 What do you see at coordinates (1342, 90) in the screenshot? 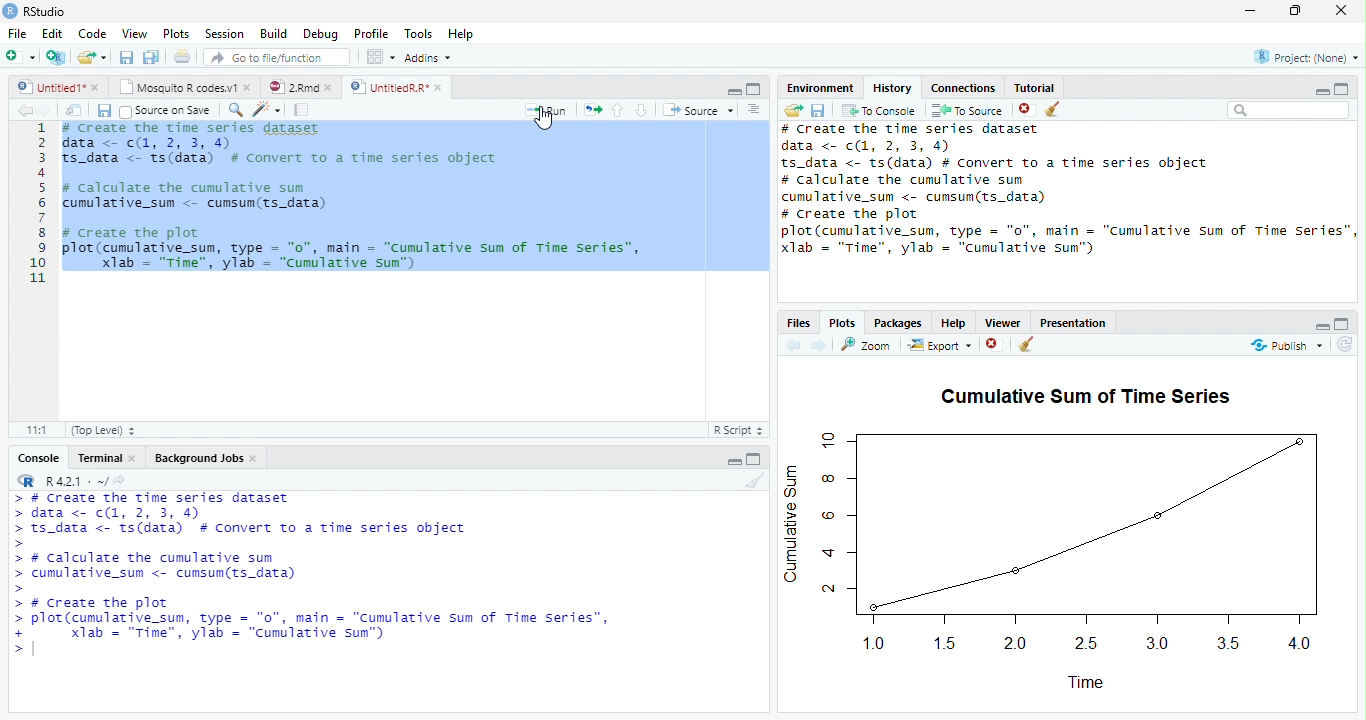
I see `Maximize` at bounding box center [1342, 90].